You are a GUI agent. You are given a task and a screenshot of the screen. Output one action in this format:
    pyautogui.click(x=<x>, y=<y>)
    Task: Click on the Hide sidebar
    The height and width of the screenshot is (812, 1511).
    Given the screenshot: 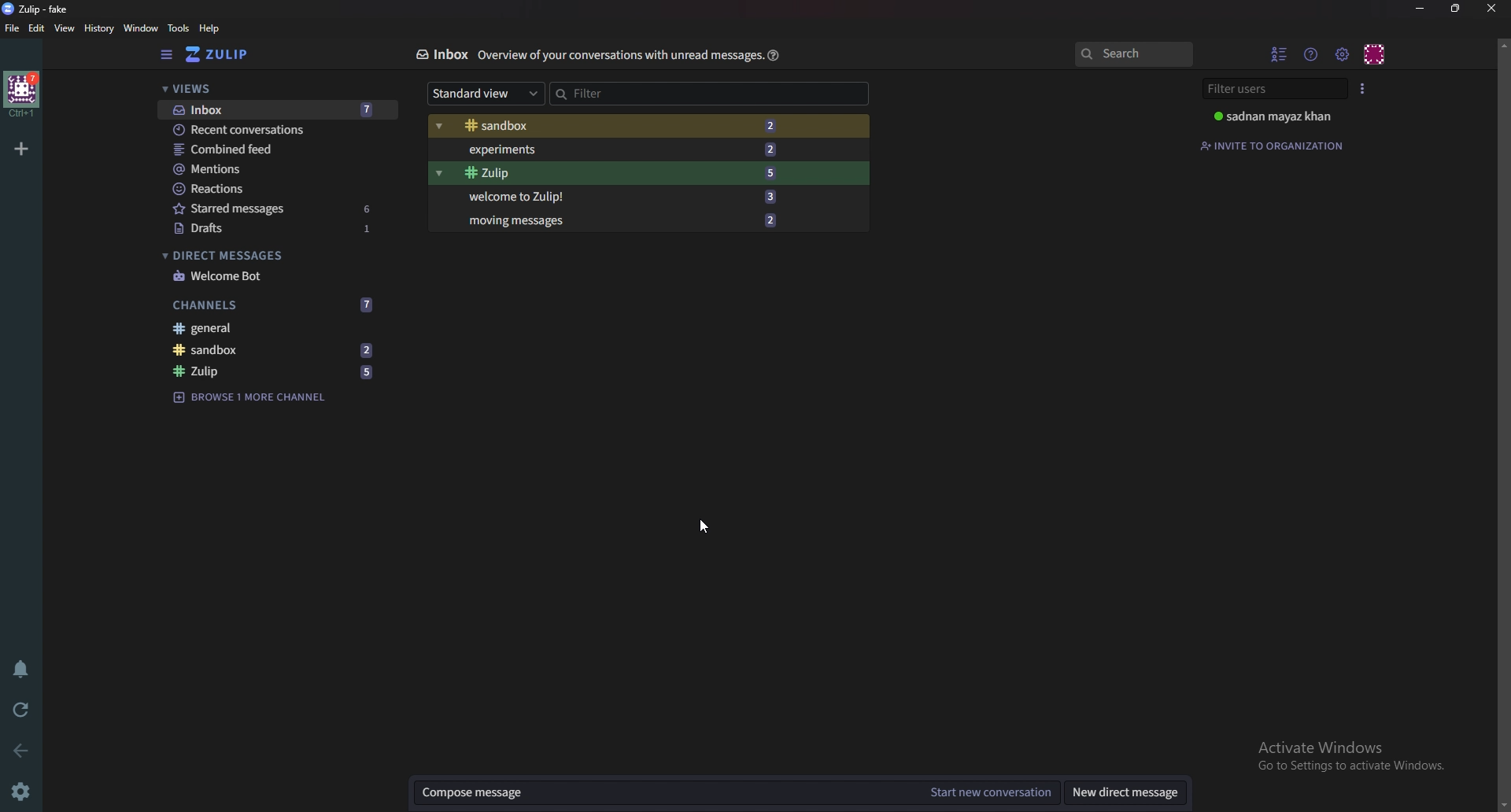 What is the action you would take?
    pyautogui.click(x=165, y=54)
    